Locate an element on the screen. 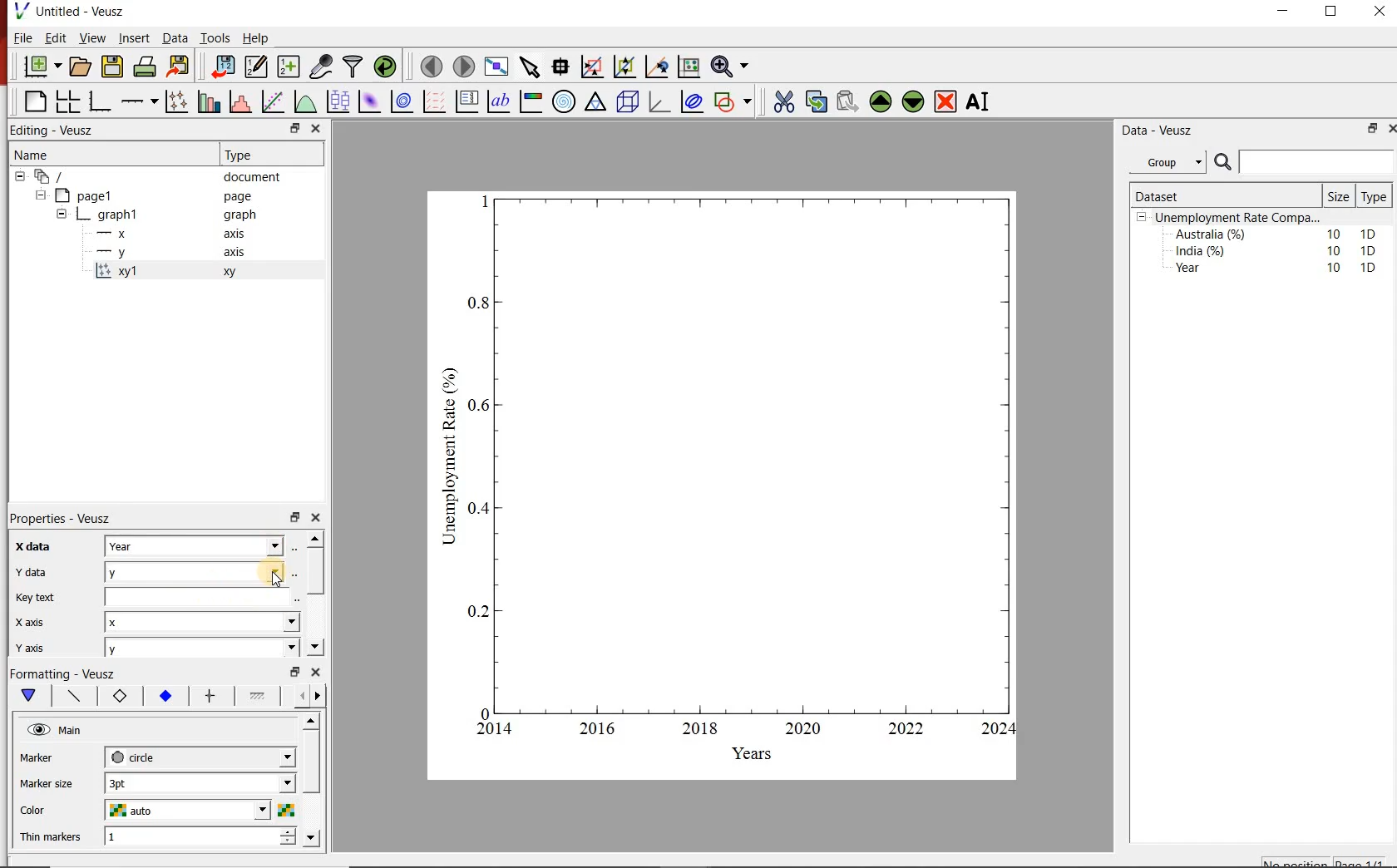 Image resolution: width=1397 pixels, height=868 pixels. marker fill  is located at coordinates (166, 697).